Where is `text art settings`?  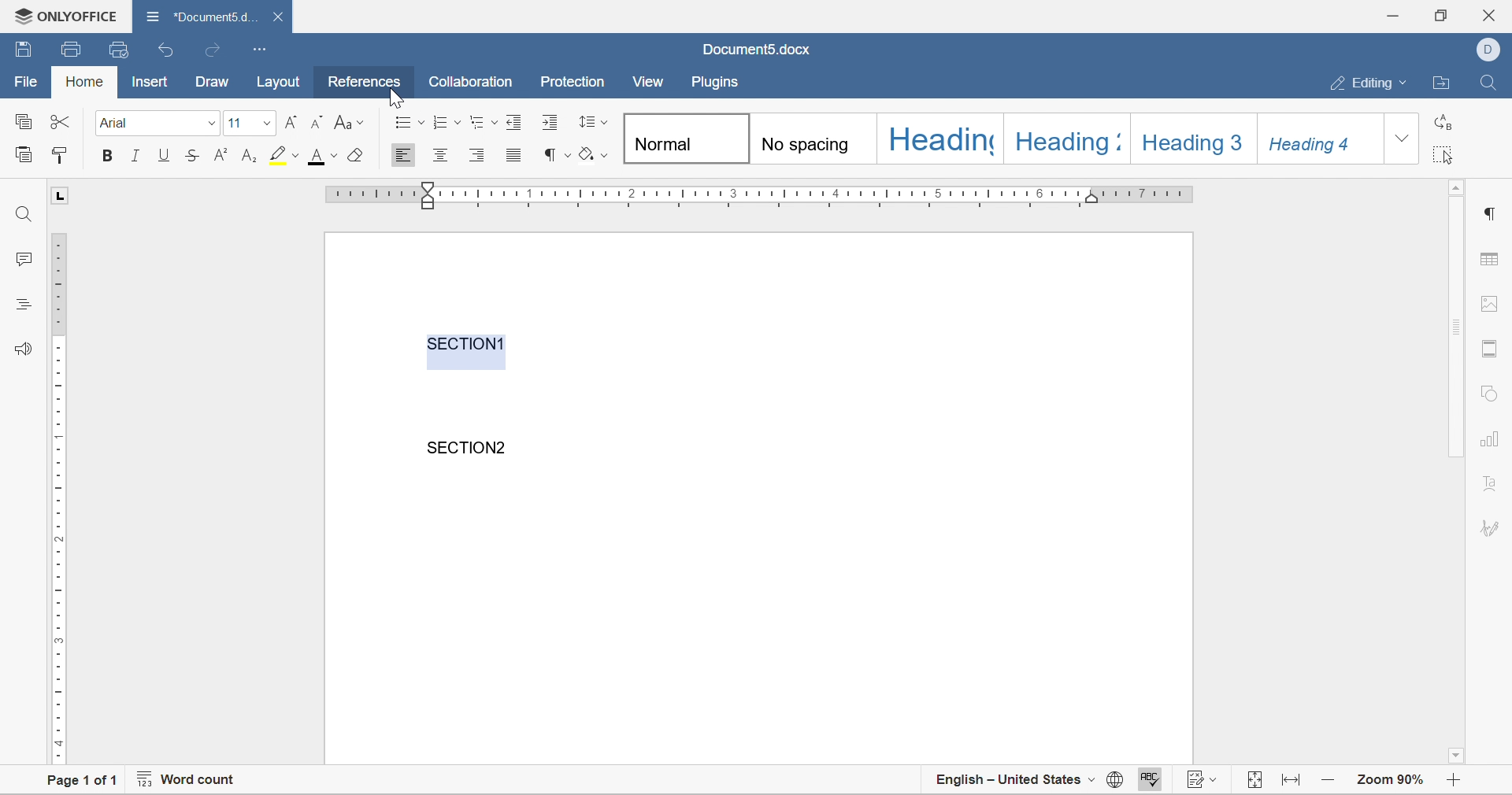
text art settings is located at coordinates (1491, 483).